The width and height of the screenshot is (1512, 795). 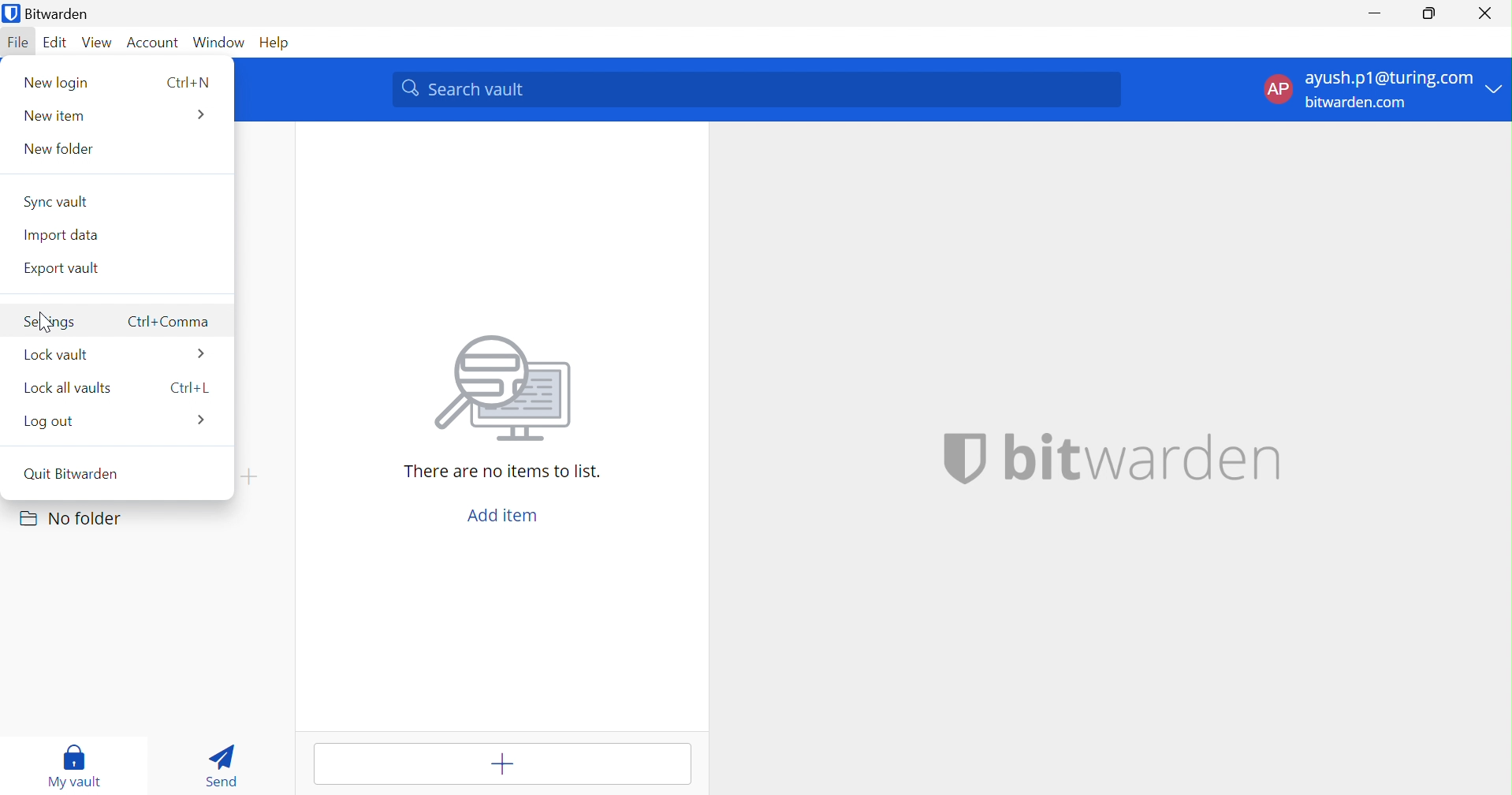 I want to click on Sync vault, so click(x=58, y=202).